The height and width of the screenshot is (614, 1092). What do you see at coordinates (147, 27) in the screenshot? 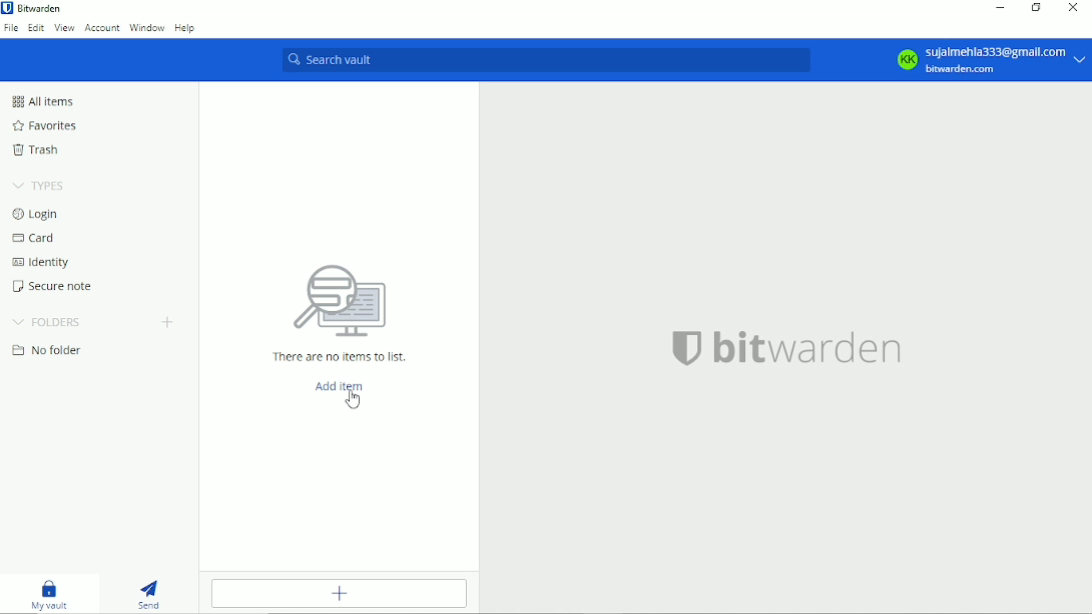
I see `Window` at bounding box center [147, 27].